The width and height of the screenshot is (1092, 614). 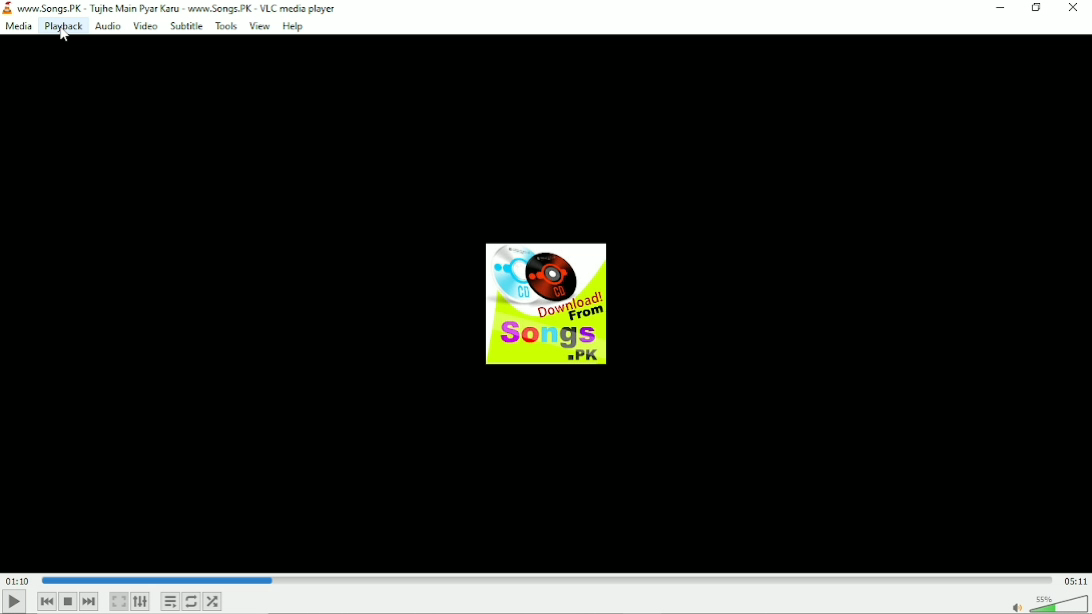 I want to click on Video, so click(x=145, y=27).